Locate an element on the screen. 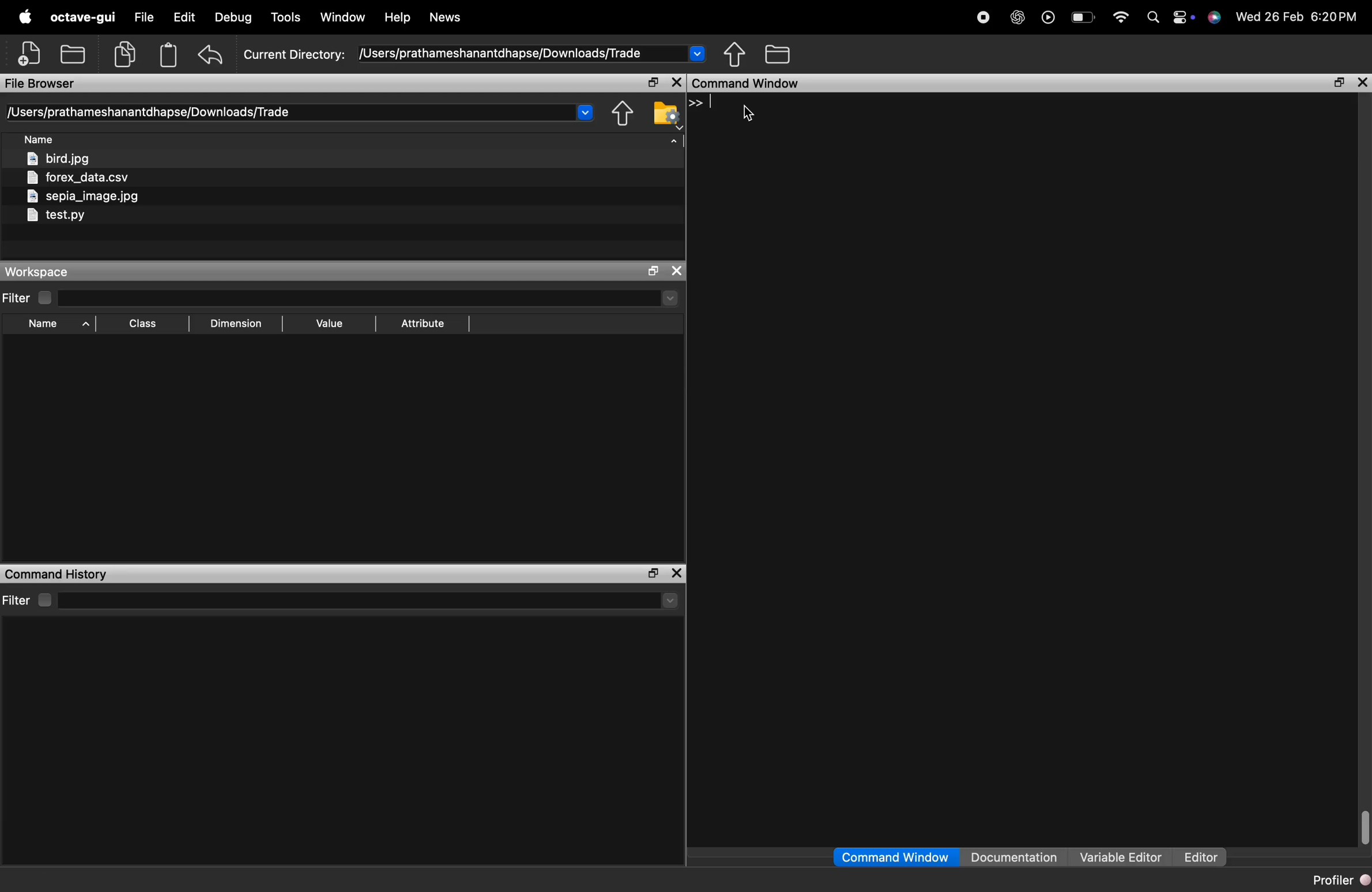 The height and width of the screenshot is (892, 1372). dropdown is located at coordinates (698, 53).